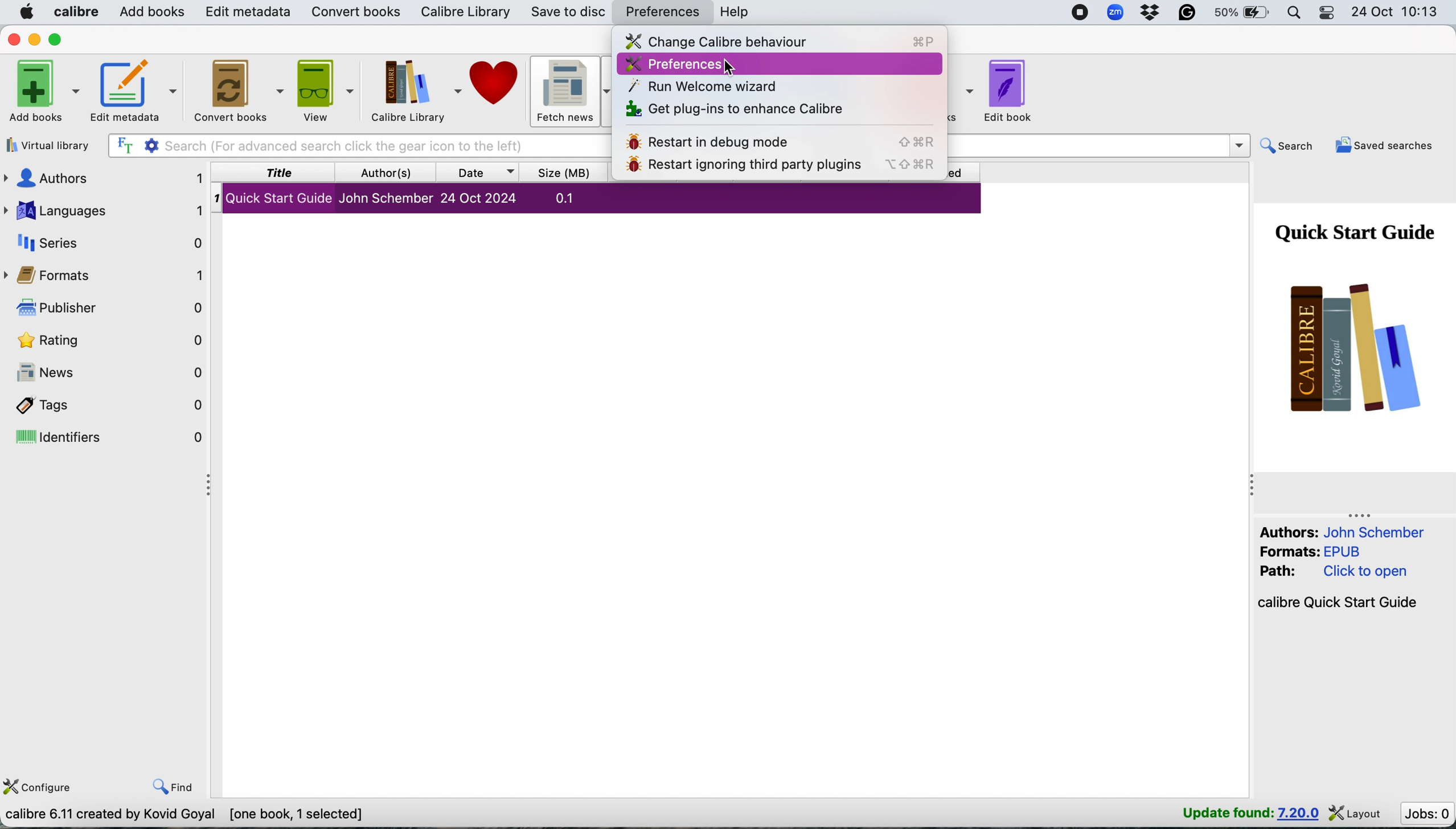  What do you see at coordinates (706, 85) in the screenshot?
I see `run welcome wizard` at bounding box center [706, 85].